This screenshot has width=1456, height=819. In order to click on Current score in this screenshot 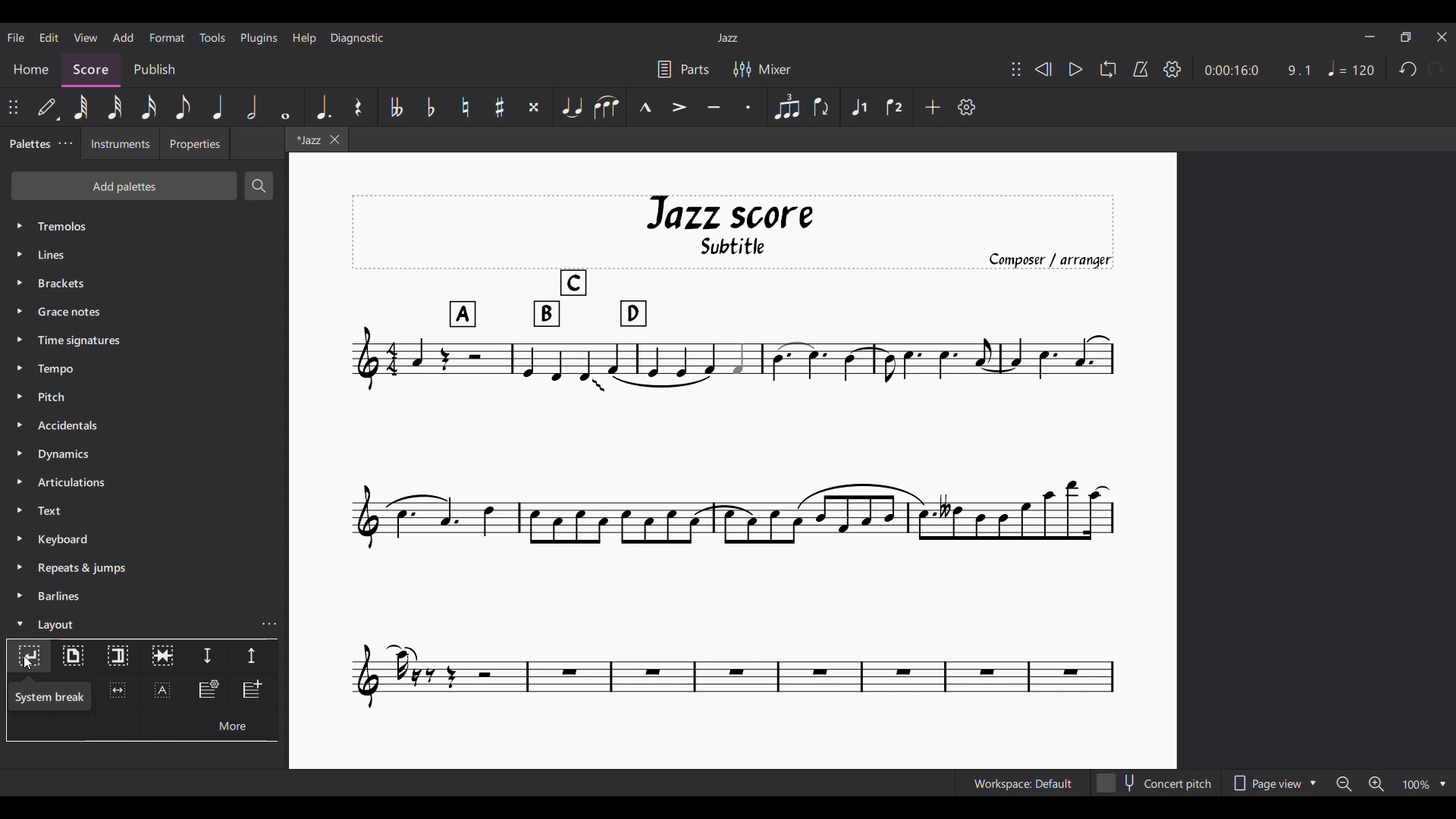, I will do `click(733, 452)`.